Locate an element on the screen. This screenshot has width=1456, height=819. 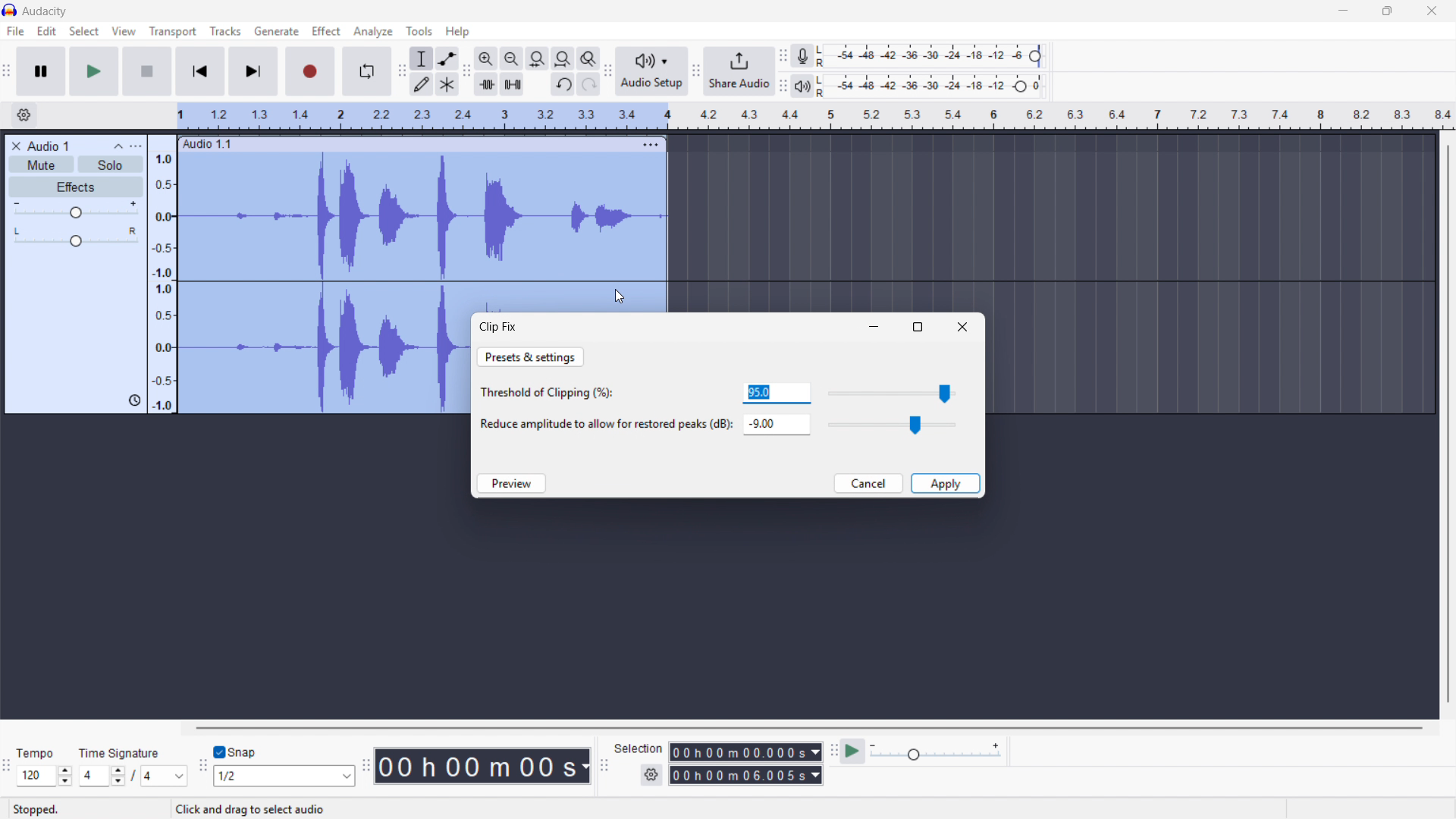
presets and settings  is located at coordinates (531, 357).